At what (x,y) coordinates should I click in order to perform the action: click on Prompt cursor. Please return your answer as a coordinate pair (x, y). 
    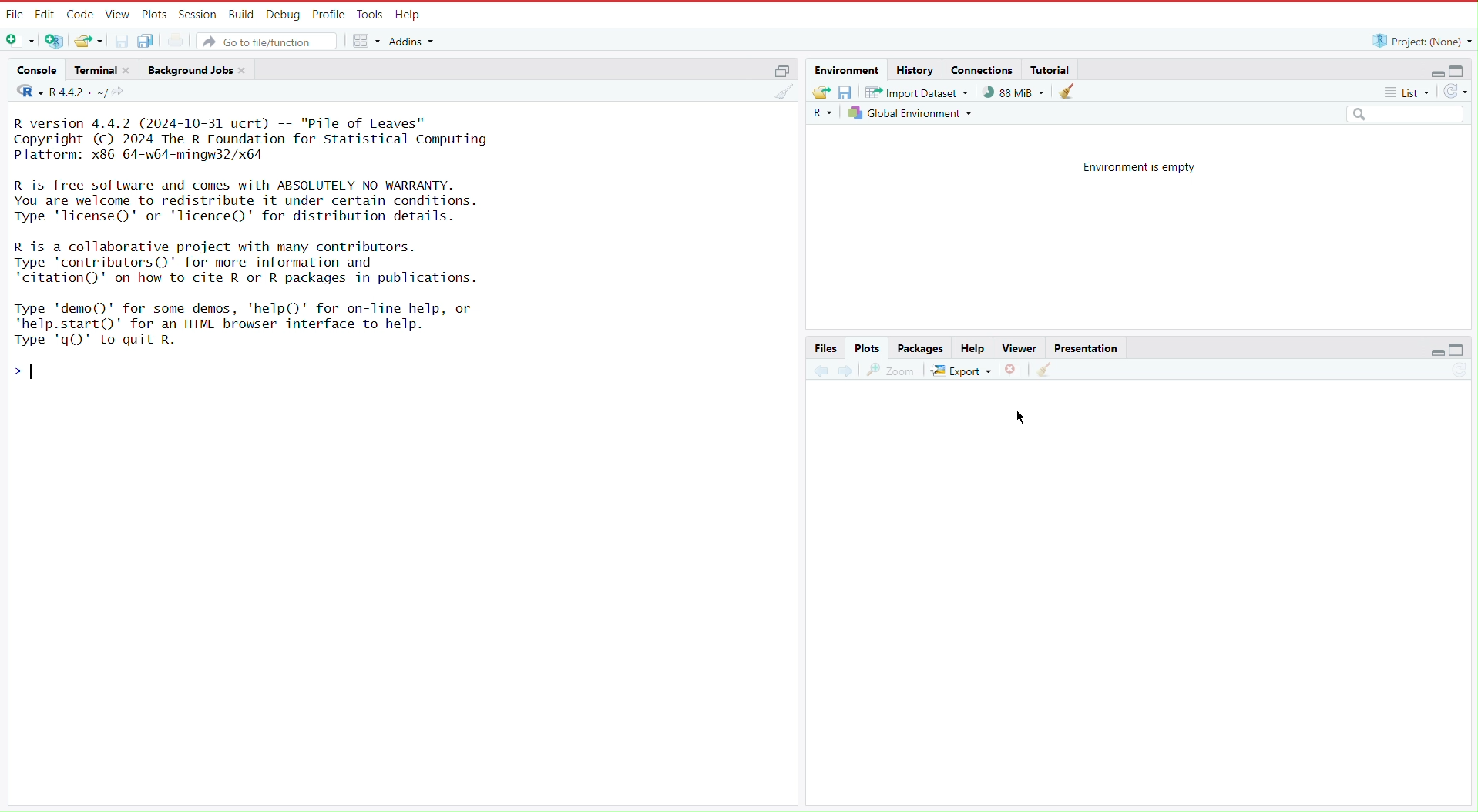
    Looking at the image, I should click on (30, 377).